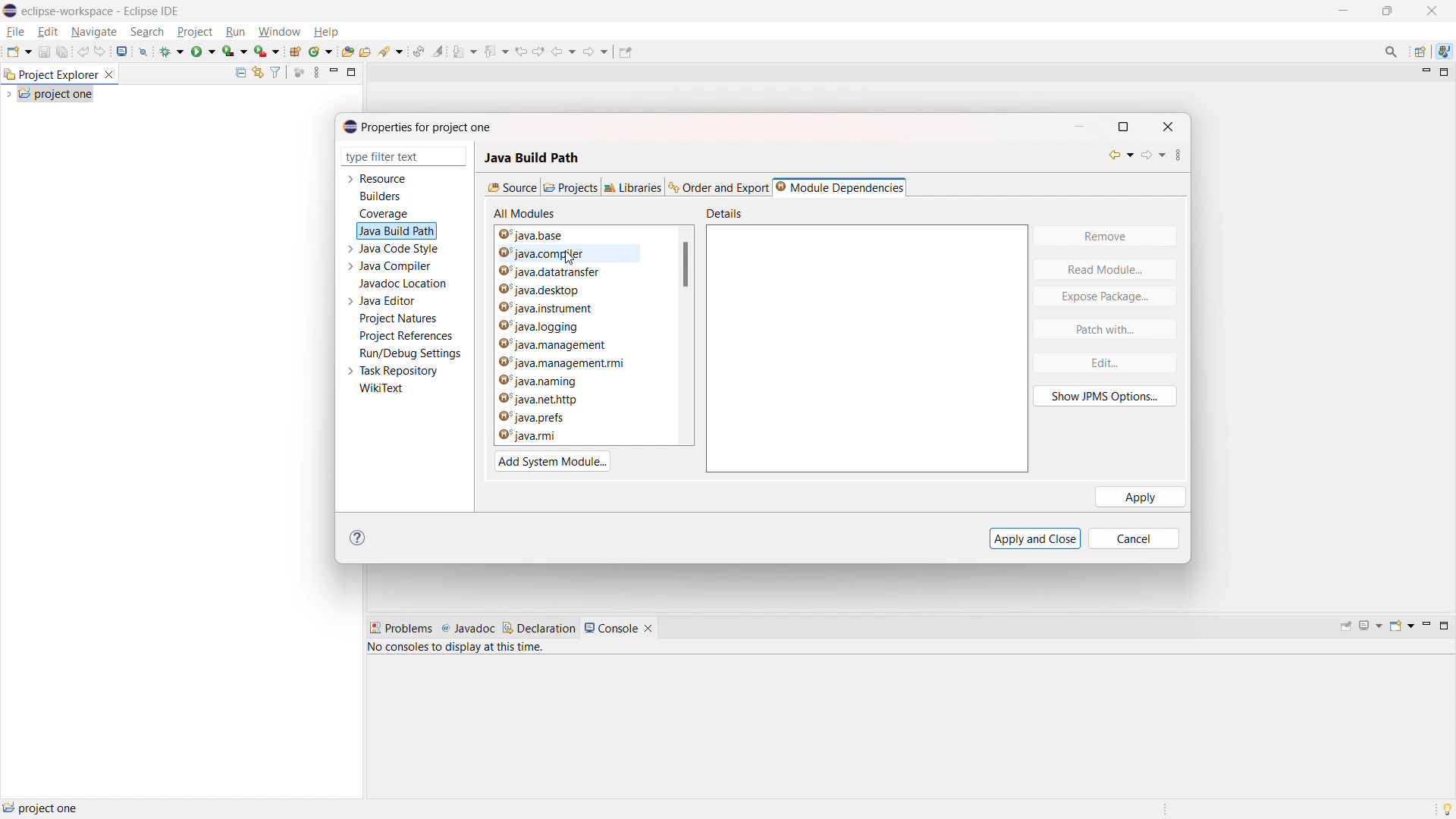 The height and width of the screenshot is (819, 1456). I want to click on remove, so click(1104, 237).